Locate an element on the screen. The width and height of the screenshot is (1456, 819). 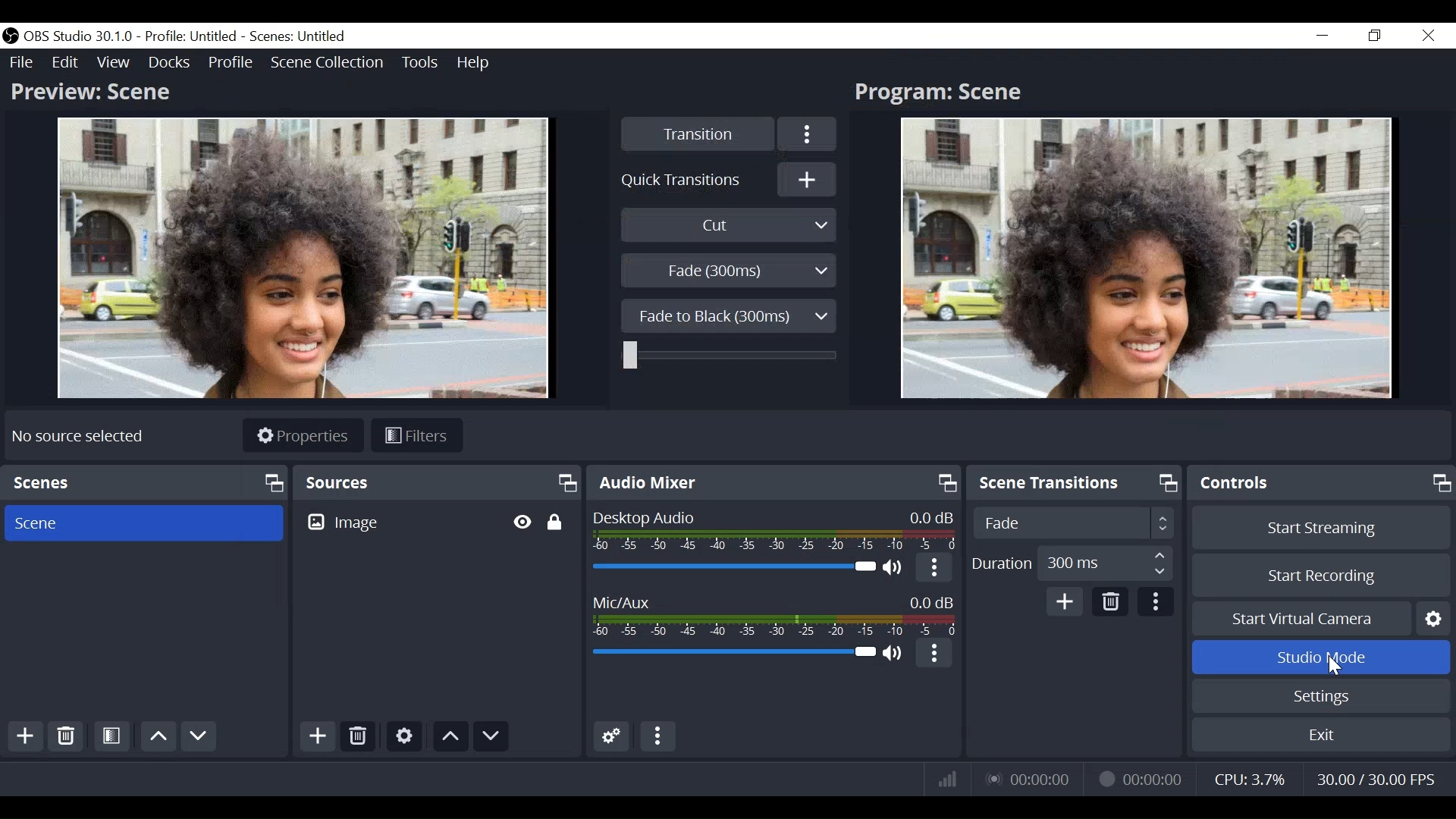
Program Screen is located at coordinates (1144, 258).